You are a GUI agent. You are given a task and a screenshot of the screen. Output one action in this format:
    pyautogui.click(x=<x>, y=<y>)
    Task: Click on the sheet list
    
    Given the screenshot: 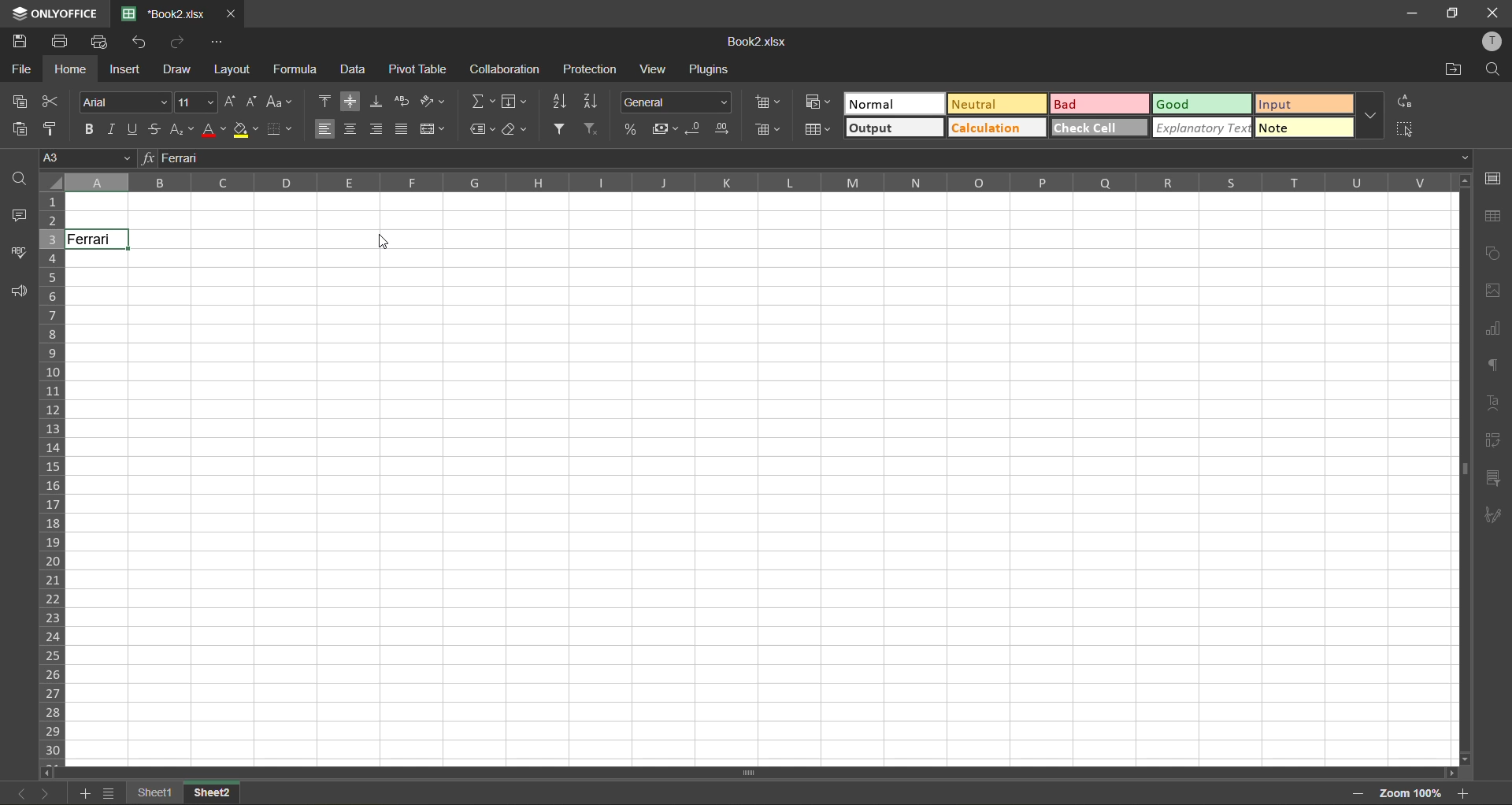 What is the action you would take?
    pyautogui.click(x=108, y=793)
    